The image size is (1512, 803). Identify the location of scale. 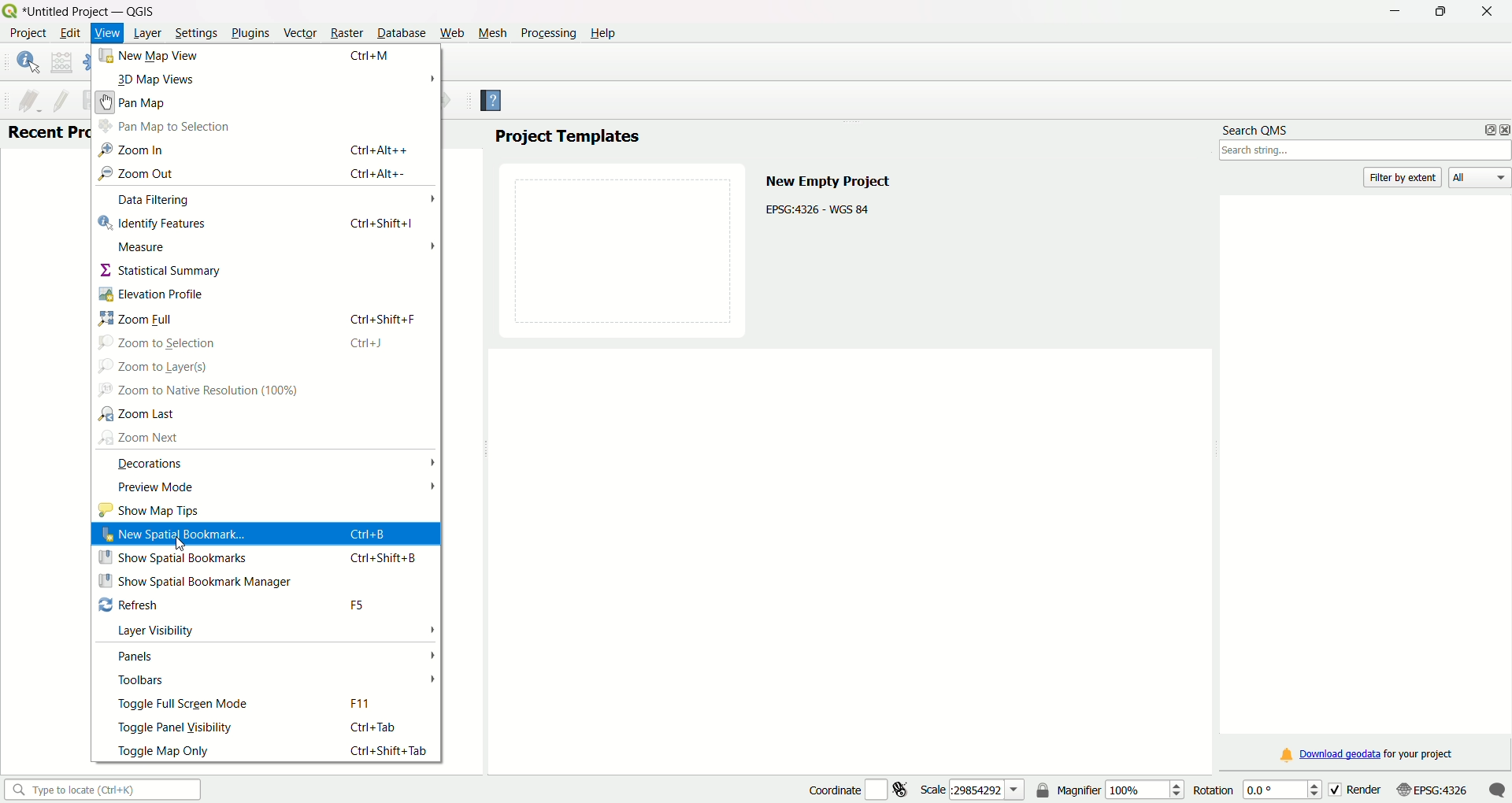
(973, 789).